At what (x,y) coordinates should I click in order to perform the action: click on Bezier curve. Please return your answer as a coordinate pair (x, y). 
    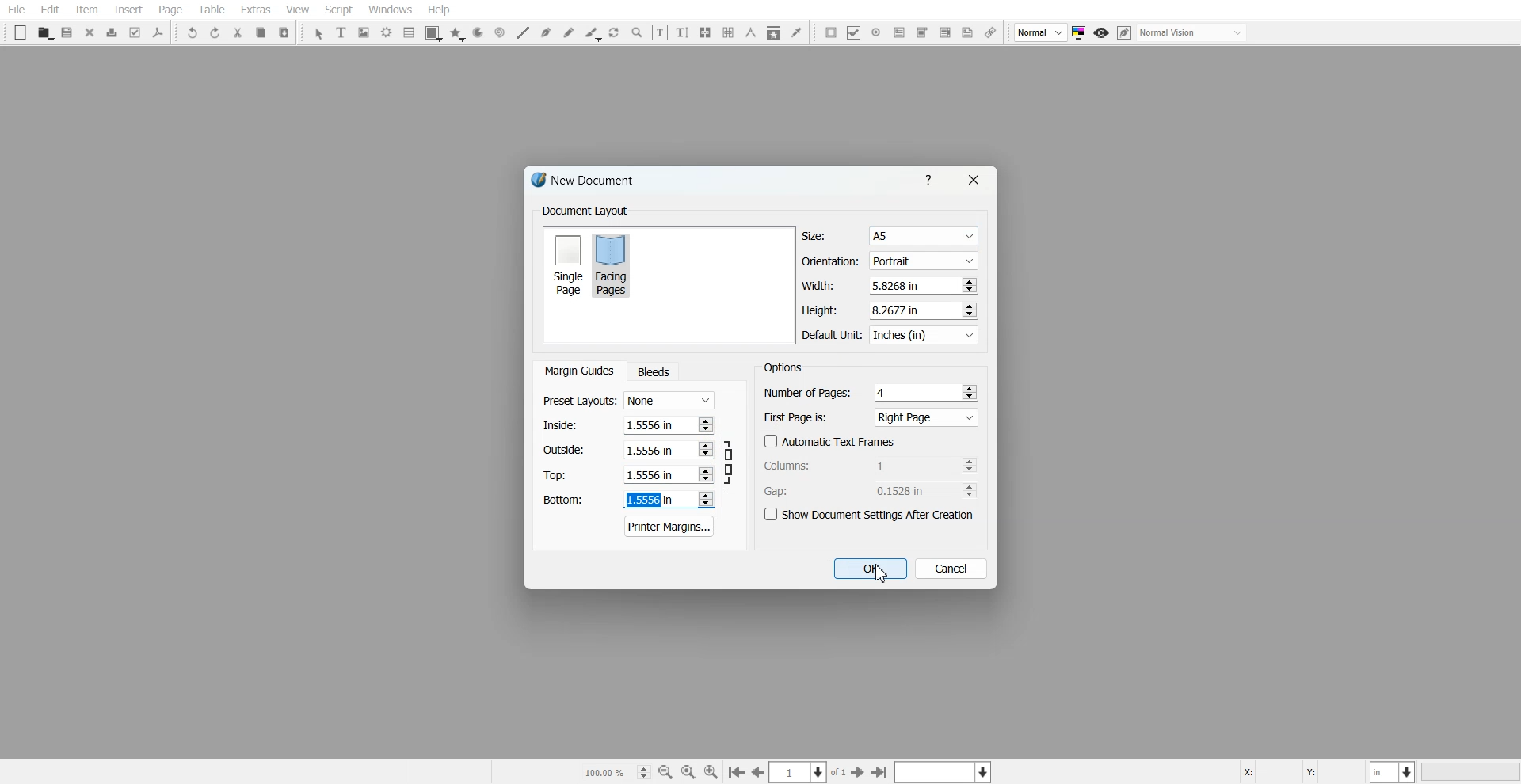
    Looking at the image, I should click on (546, 32).